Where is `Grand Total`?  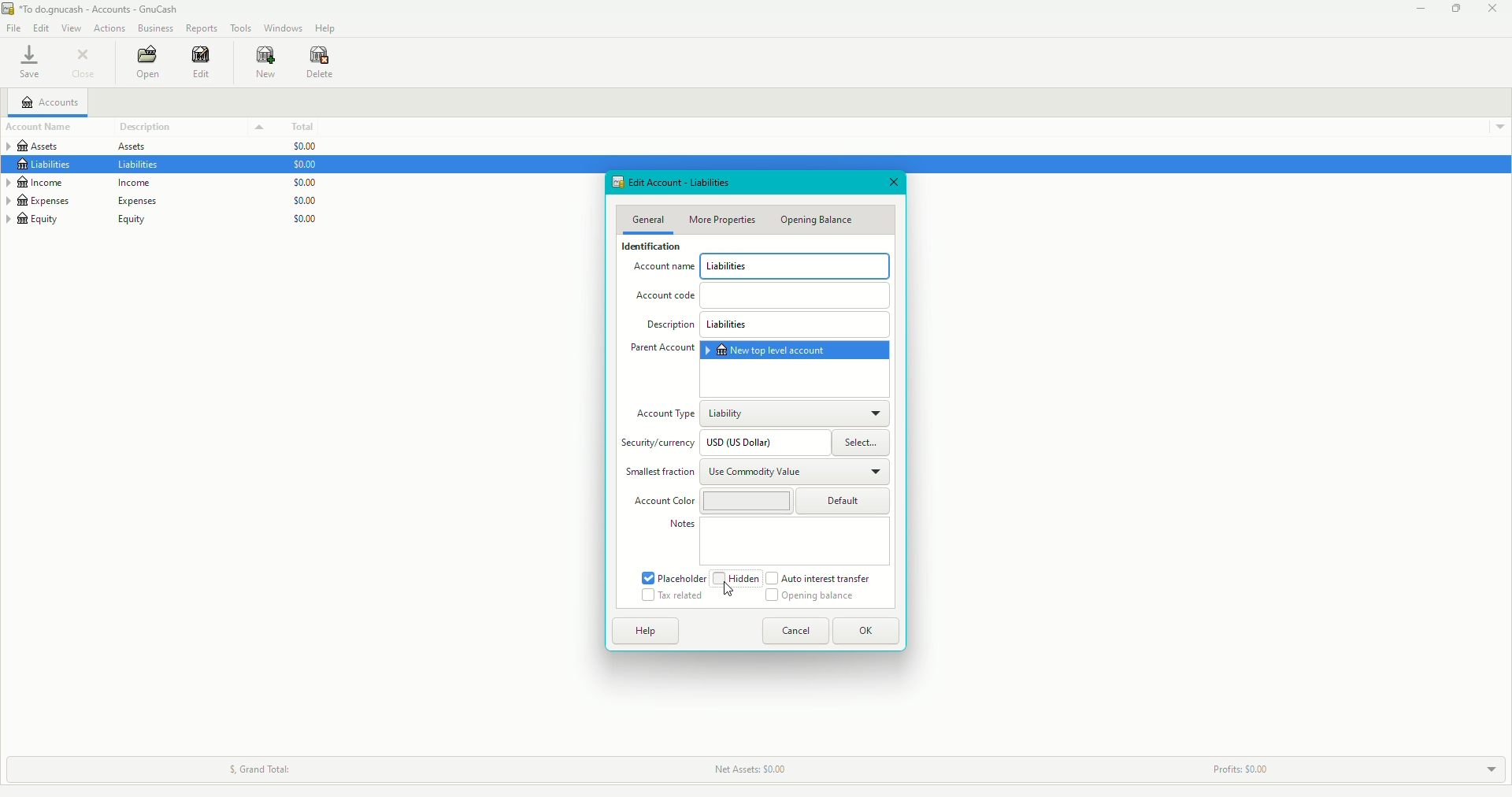 Grand Total is located at coordinates (258, 770).